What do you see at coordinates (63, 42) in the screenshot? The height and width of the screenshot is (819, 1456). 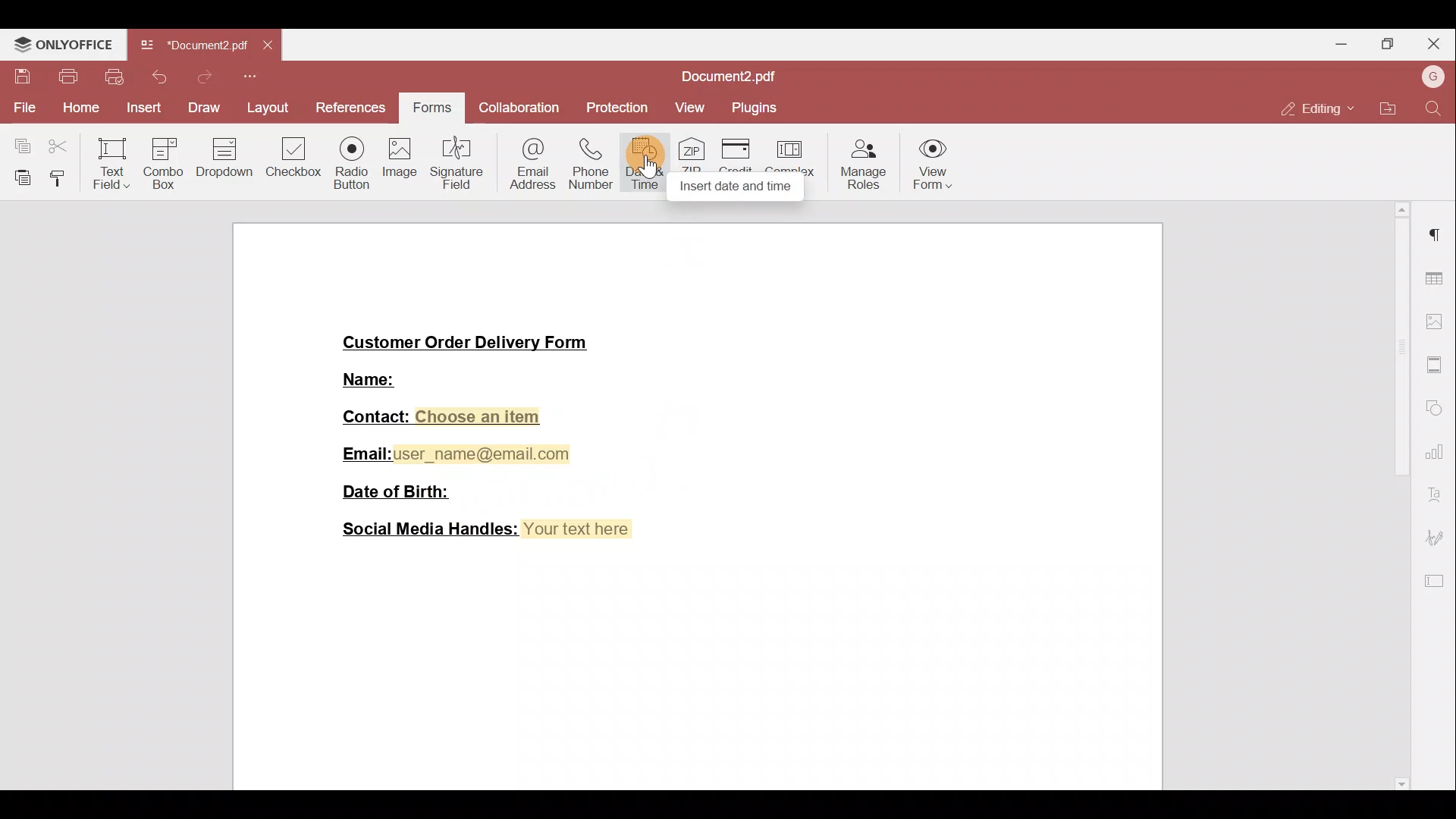 I see `ONLYOFFICE` at bounding box center [63, 42].